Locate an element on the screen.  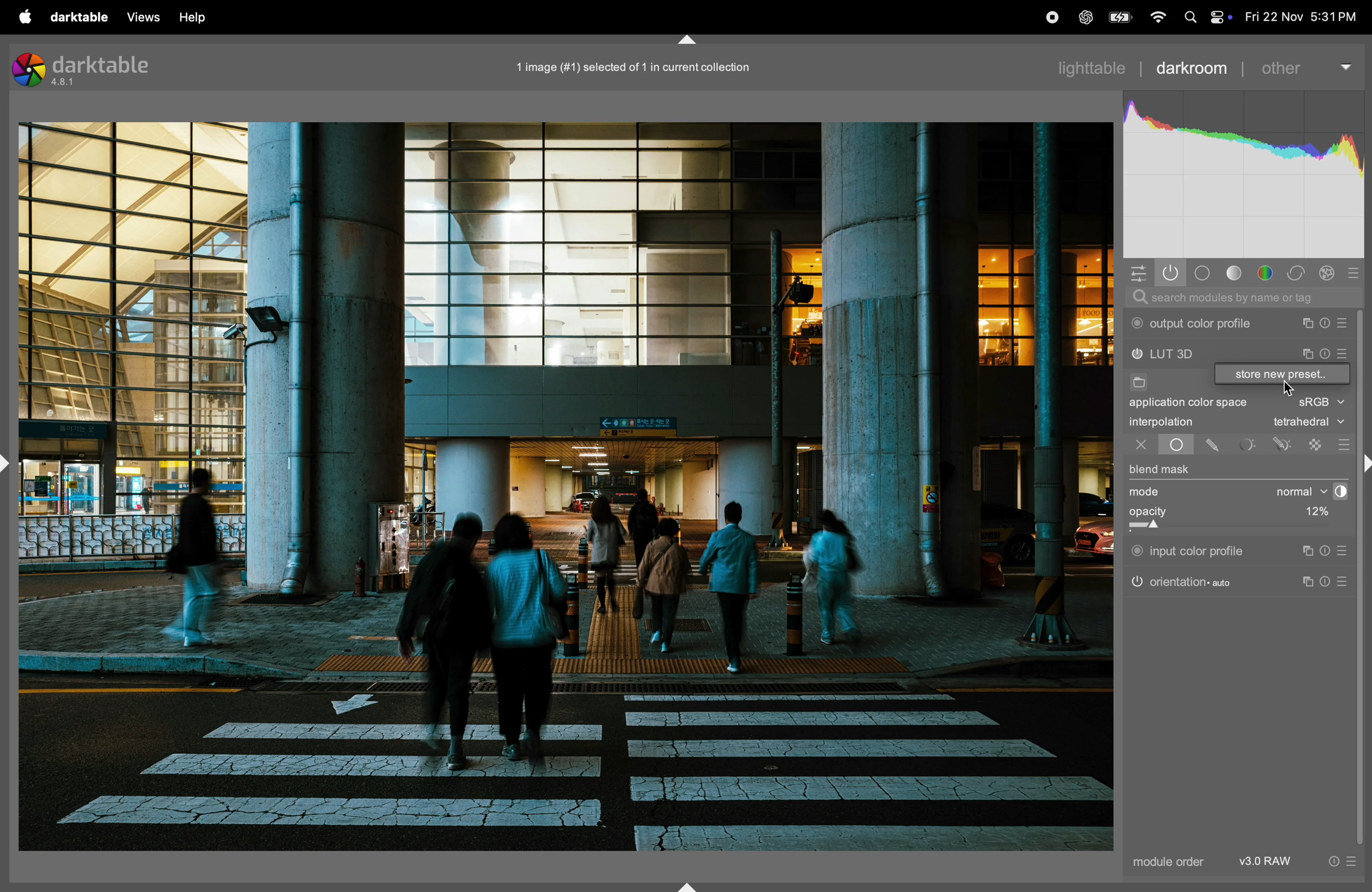
uniformly is located at coordinates (1166, 445).